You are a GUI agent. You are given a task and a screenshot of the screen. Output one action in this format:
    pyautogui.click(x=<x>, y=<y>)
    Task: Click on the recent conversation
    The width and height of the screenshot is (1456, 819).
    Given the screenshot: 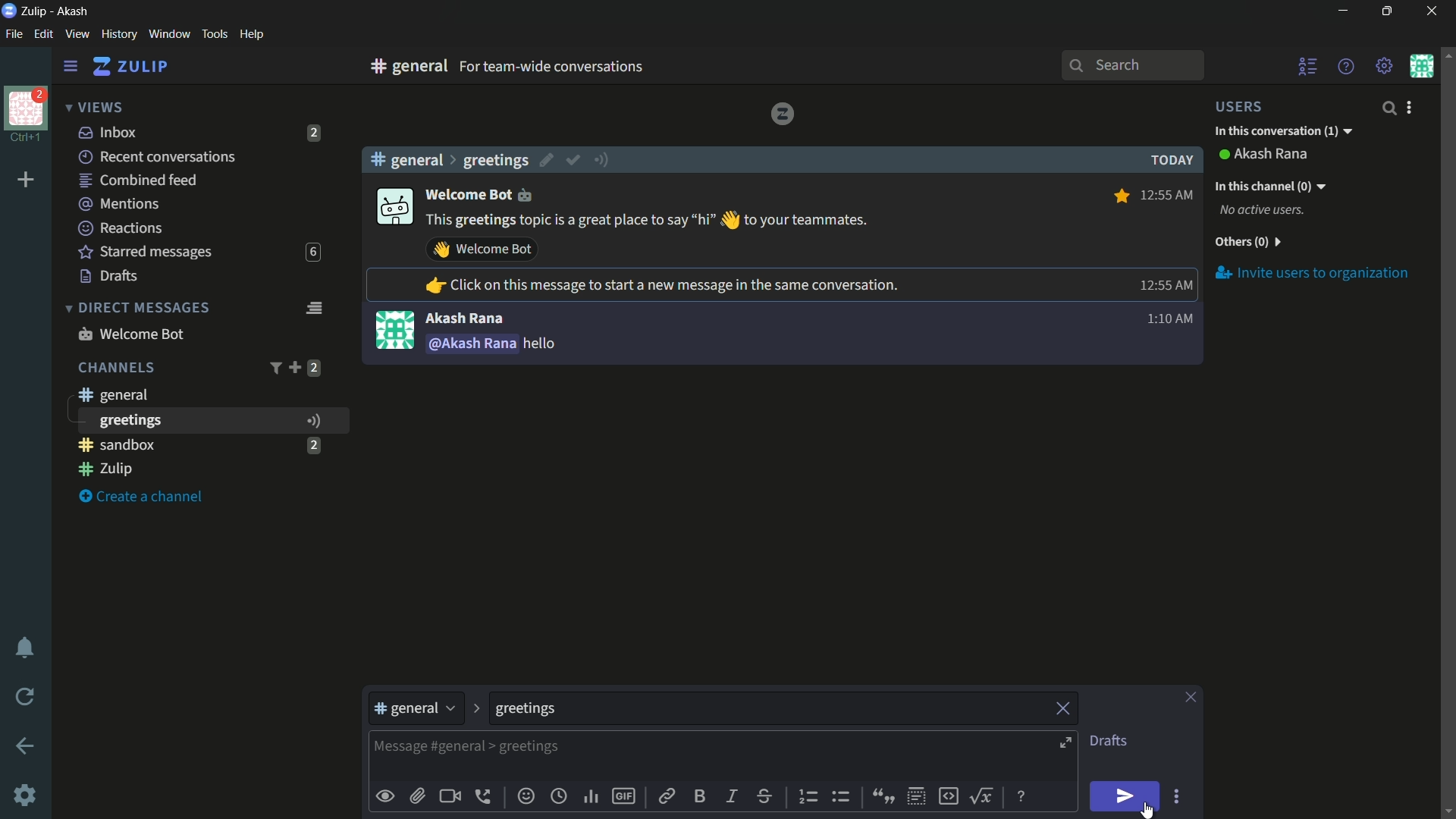 What is the action you would take?
    pyautogui.click(x=158, y=157)
    